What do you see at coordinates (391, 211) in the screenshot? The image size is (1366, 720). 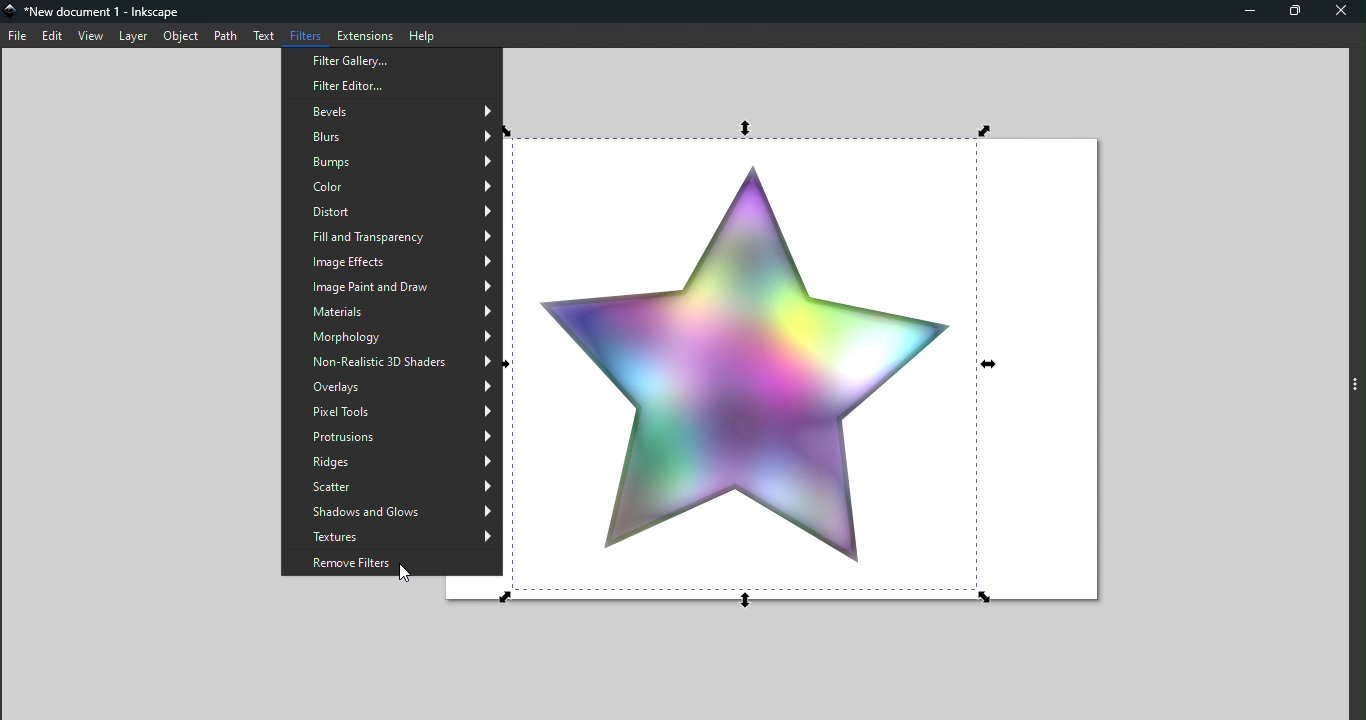 I see `Distort` at bounding box center [391, 211].